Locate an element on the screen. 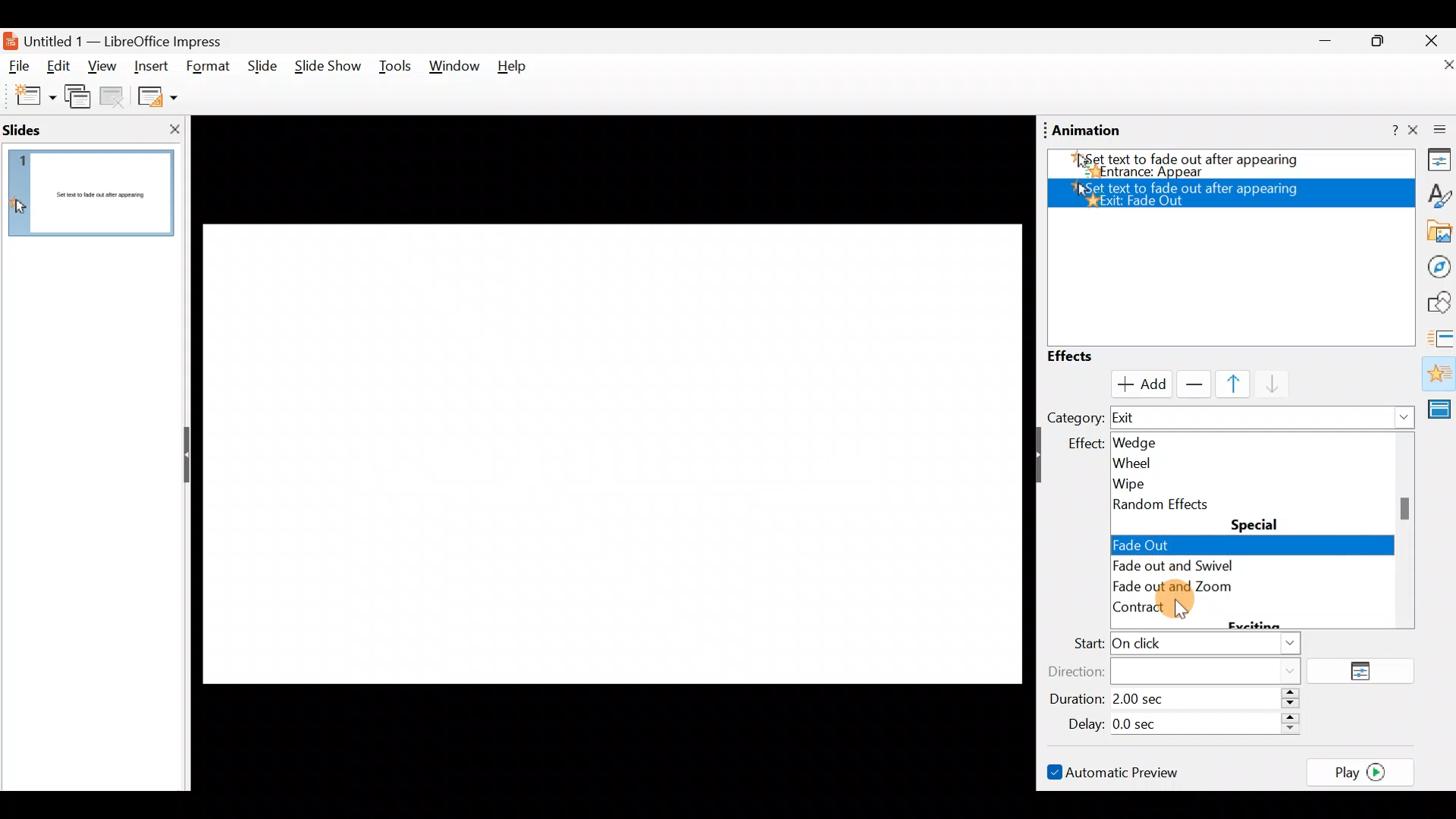 Image resolution: width=1456 pixels, height=819 pixels. Fade out and zoom is located at coordinates (1194, 588).